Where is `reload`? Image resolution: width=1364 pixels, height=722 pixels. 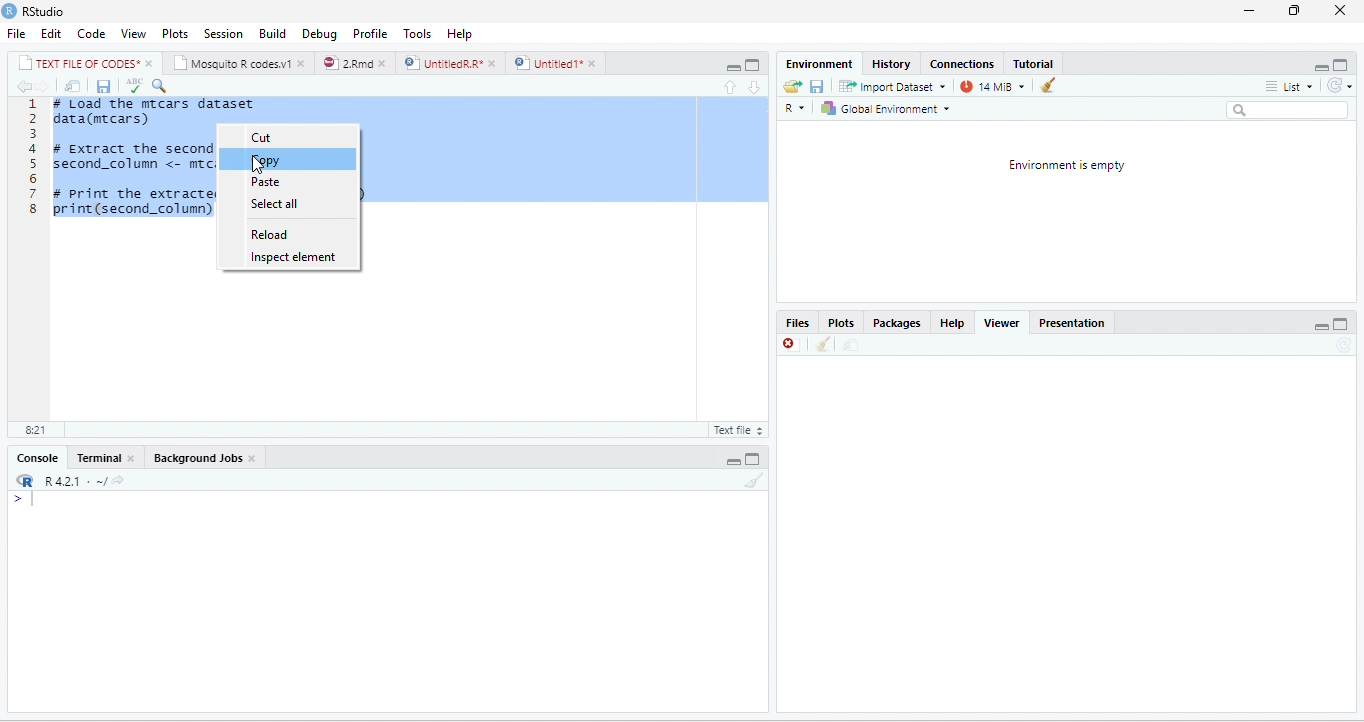 reload is located at coordinates (269, 234).